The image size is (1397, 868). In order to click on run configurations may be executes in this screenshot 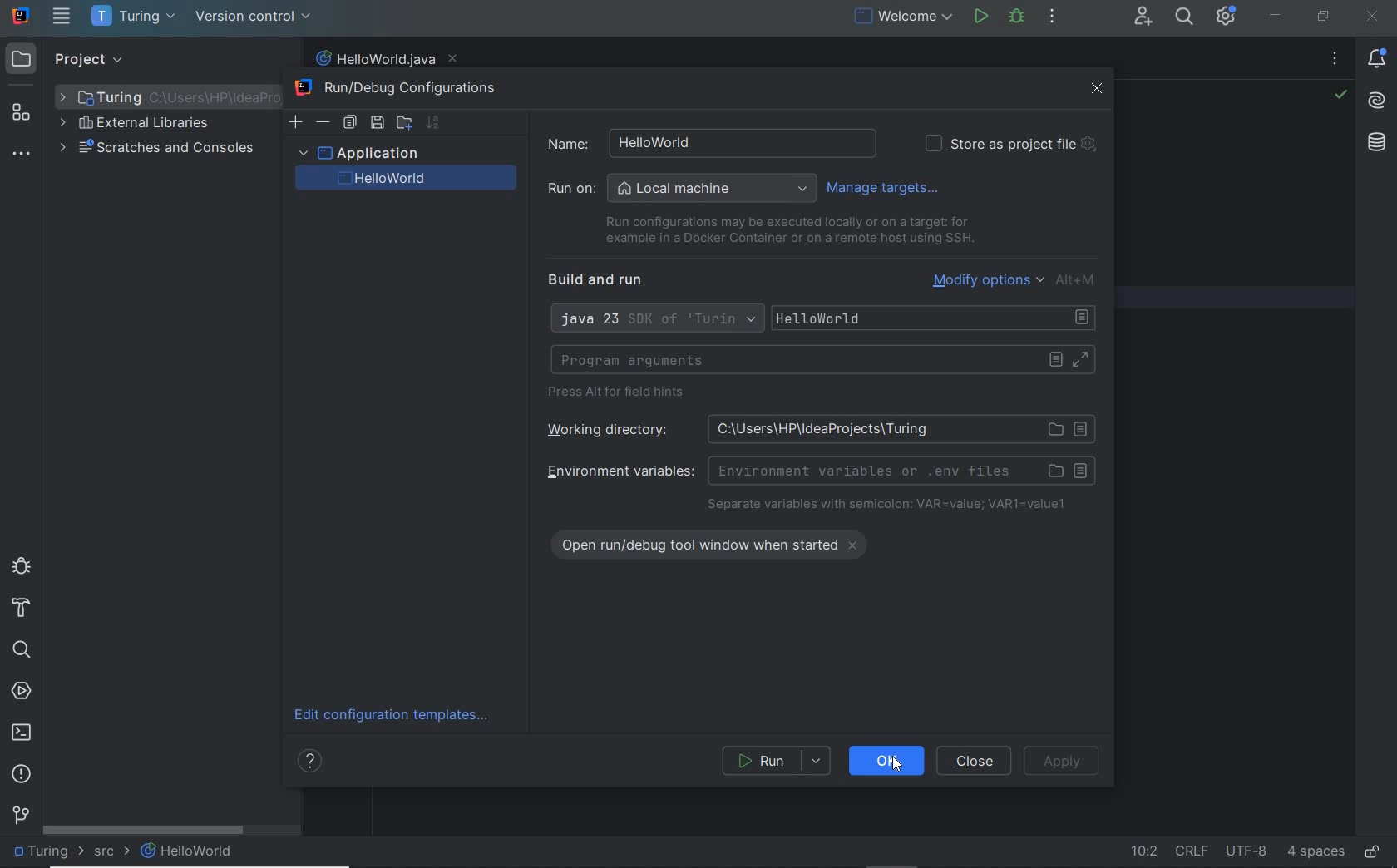, I will do `click(783, 230)`.